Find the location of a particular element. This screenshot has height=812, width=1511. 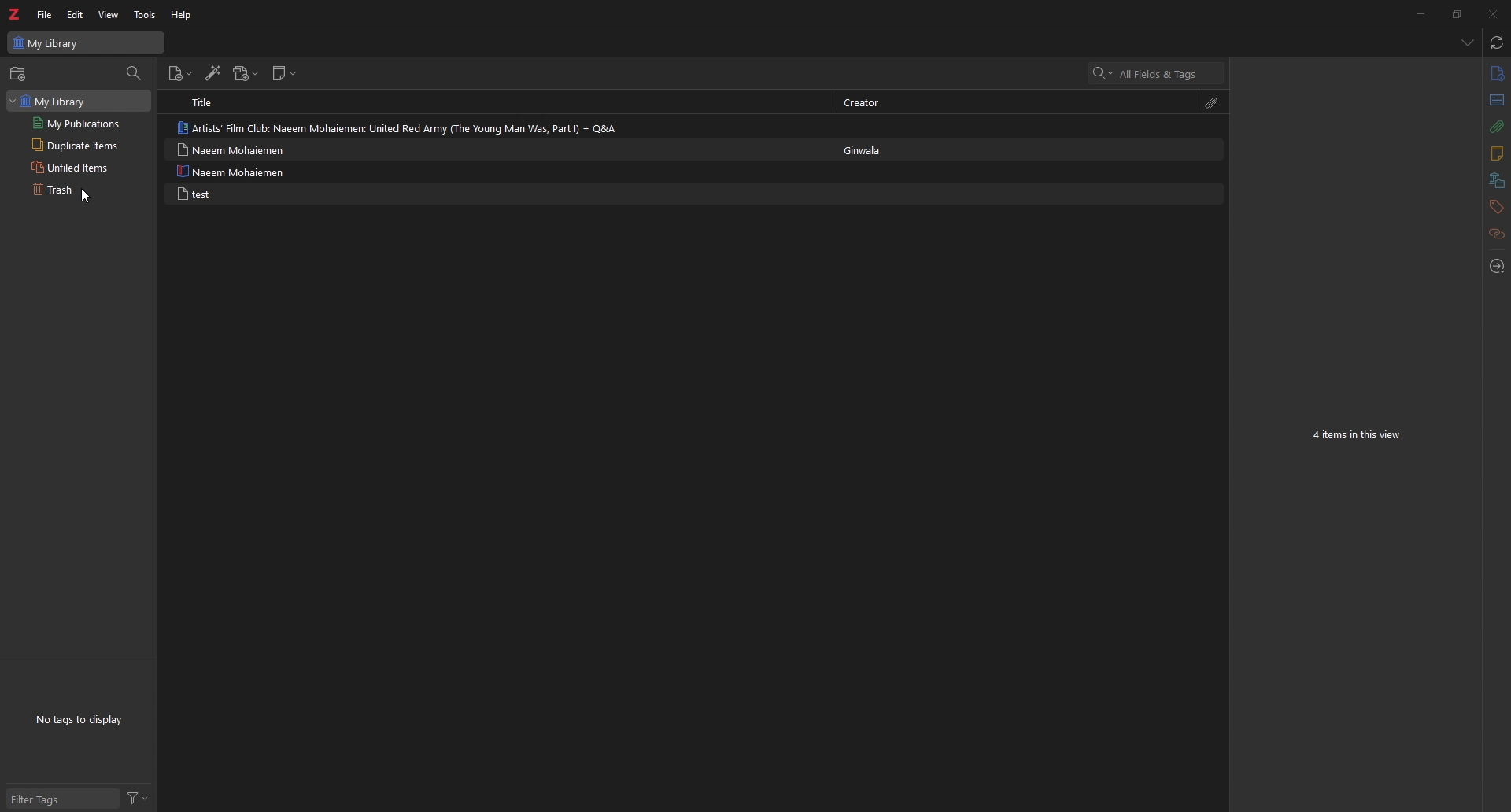

new collection is located at coordinates (20, 74).